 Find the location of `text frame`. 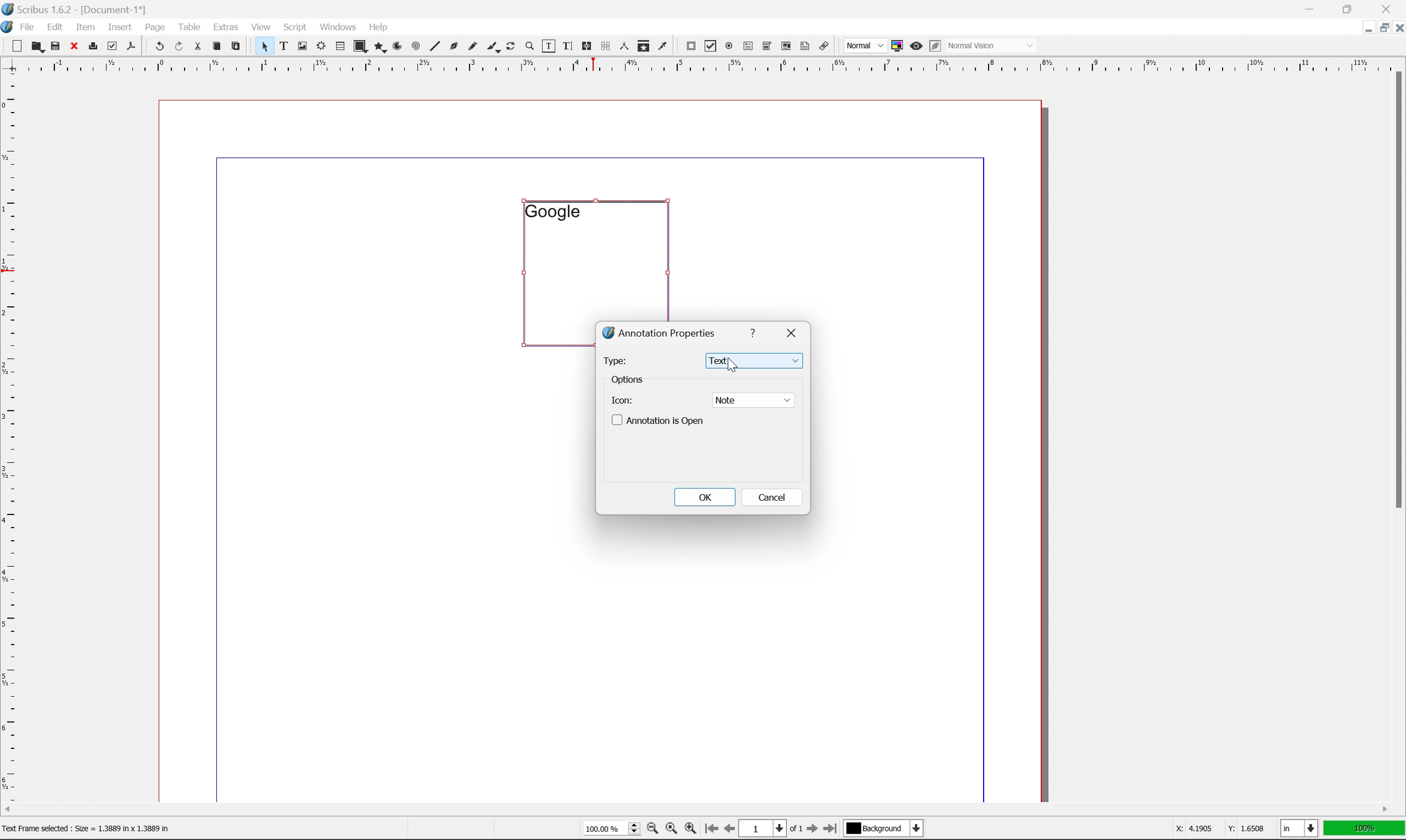

text frame is located at coordinates (284, 45).